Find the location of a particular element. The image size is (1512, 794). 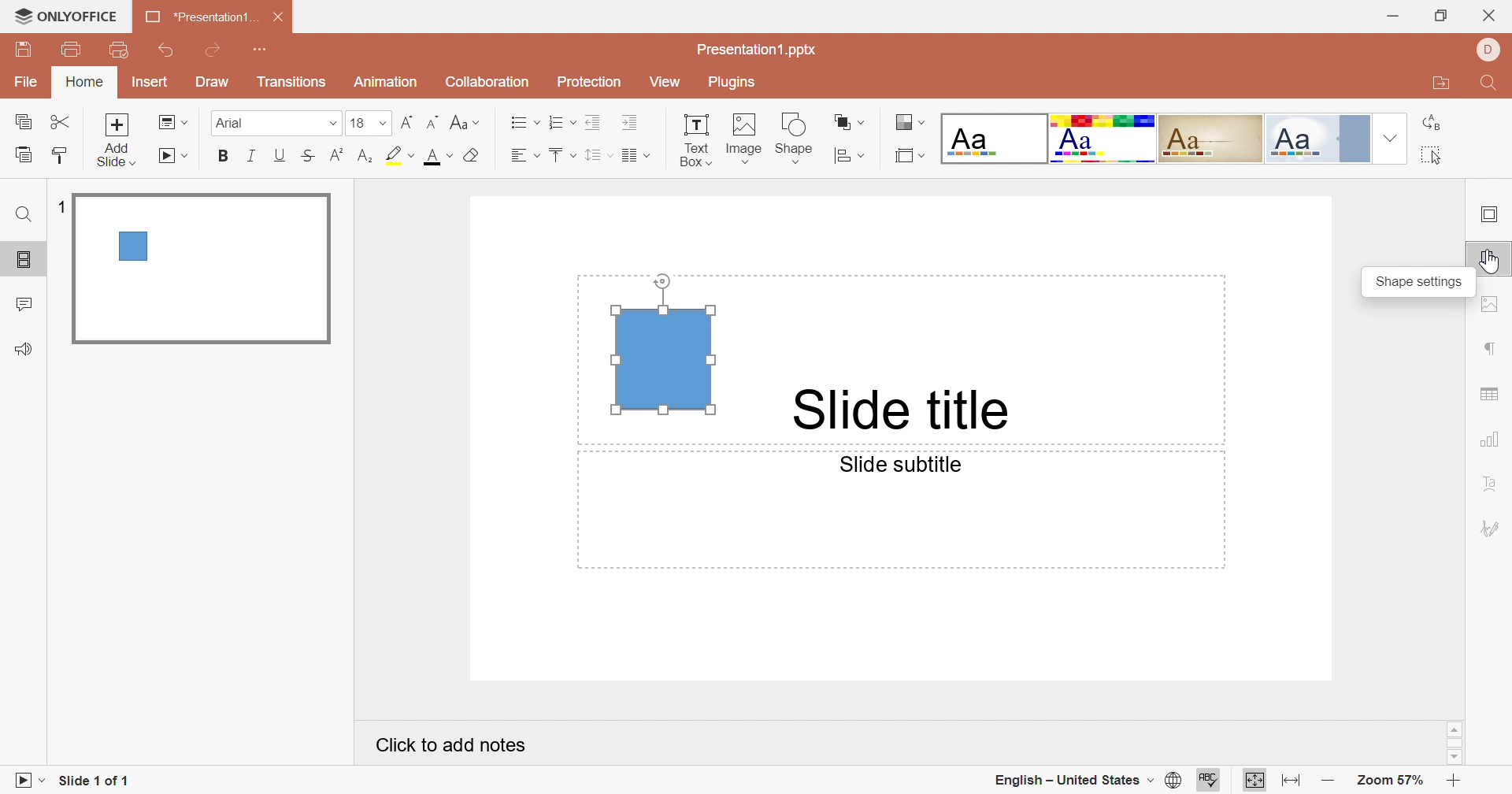

Image settings is located at coordinates (1490, 307).